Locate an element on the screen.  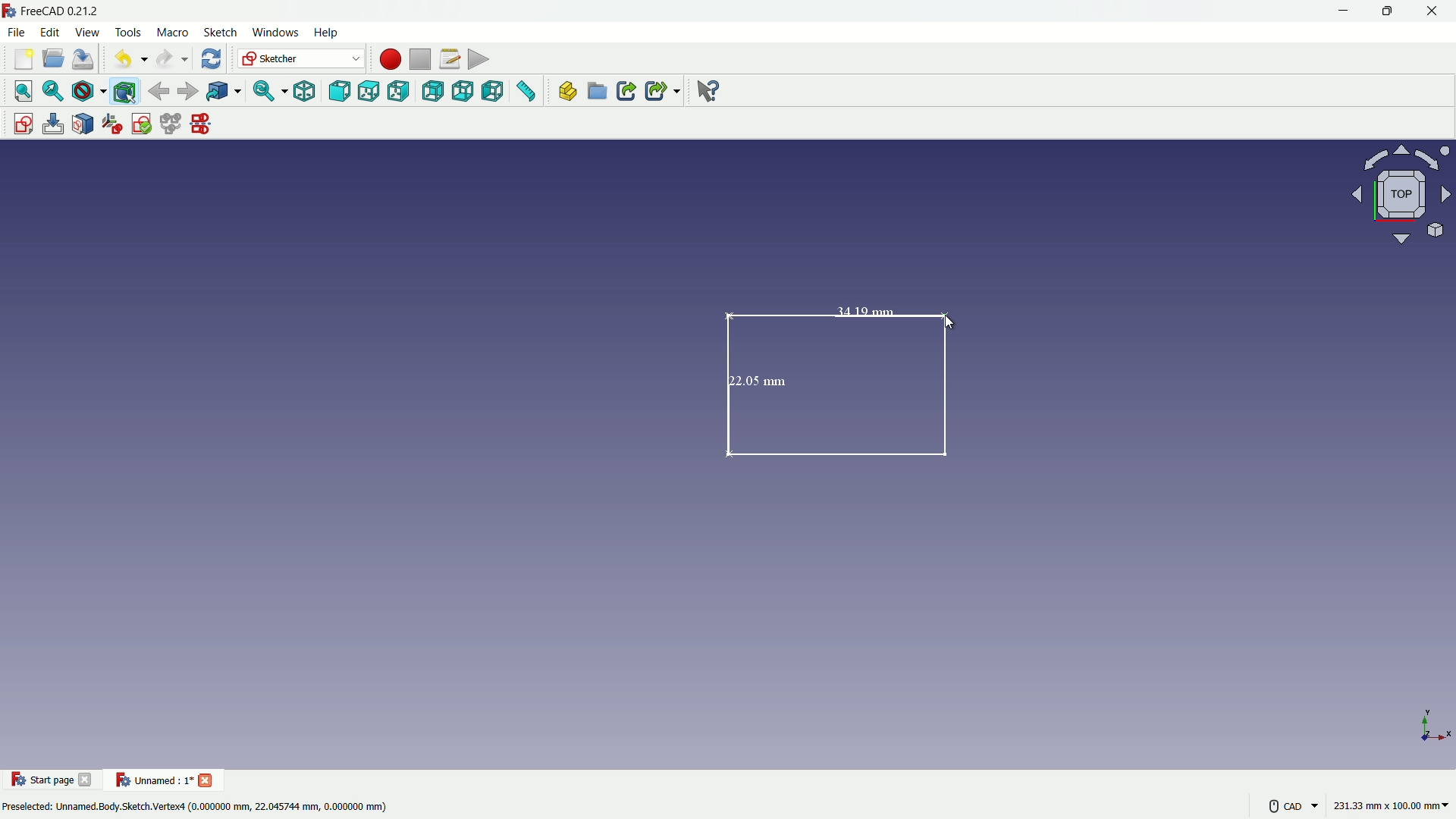
bottom view is located at coordinates (463, 93).